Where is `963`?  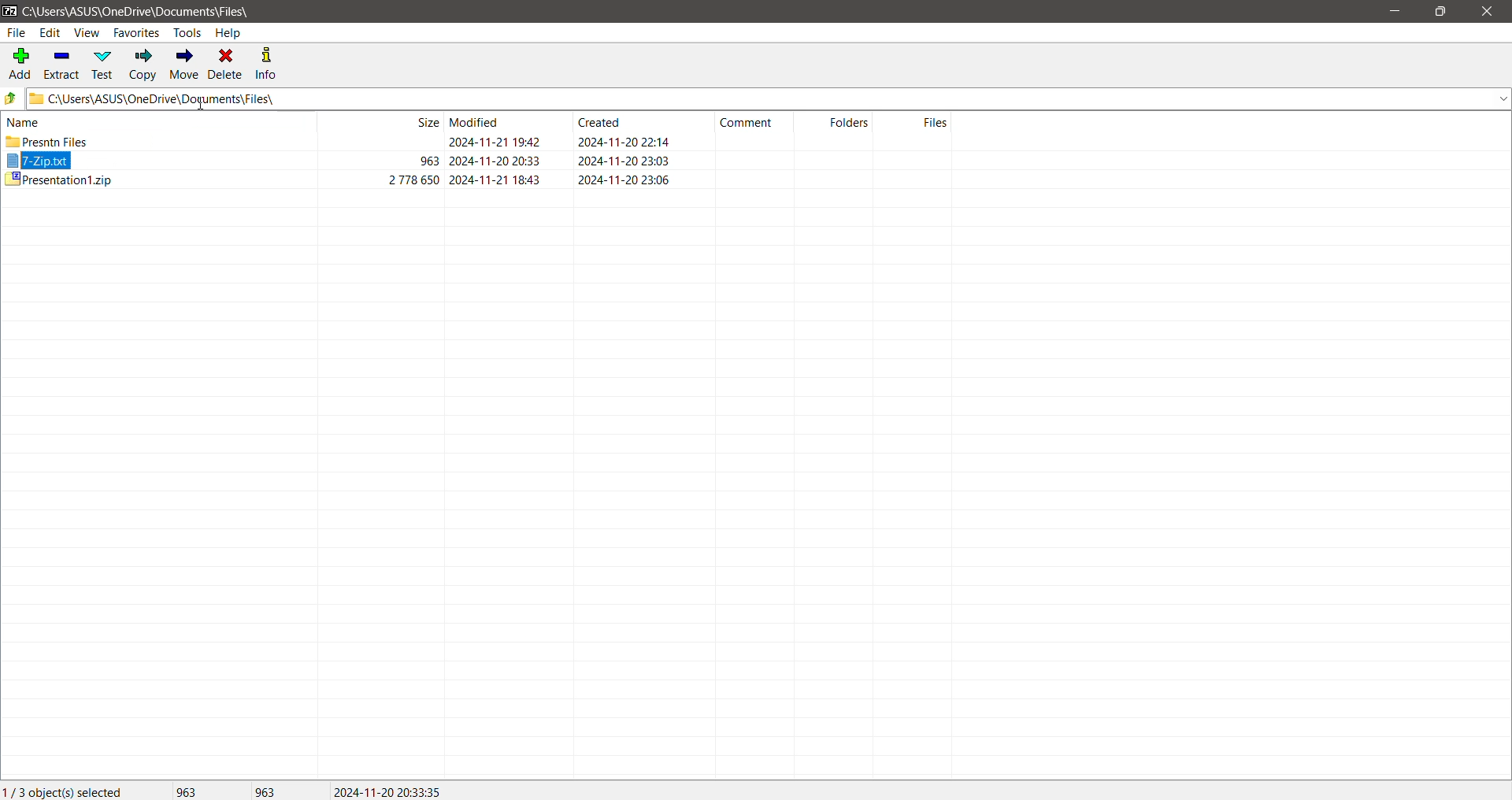
963 is located at coordinates (428, 161).